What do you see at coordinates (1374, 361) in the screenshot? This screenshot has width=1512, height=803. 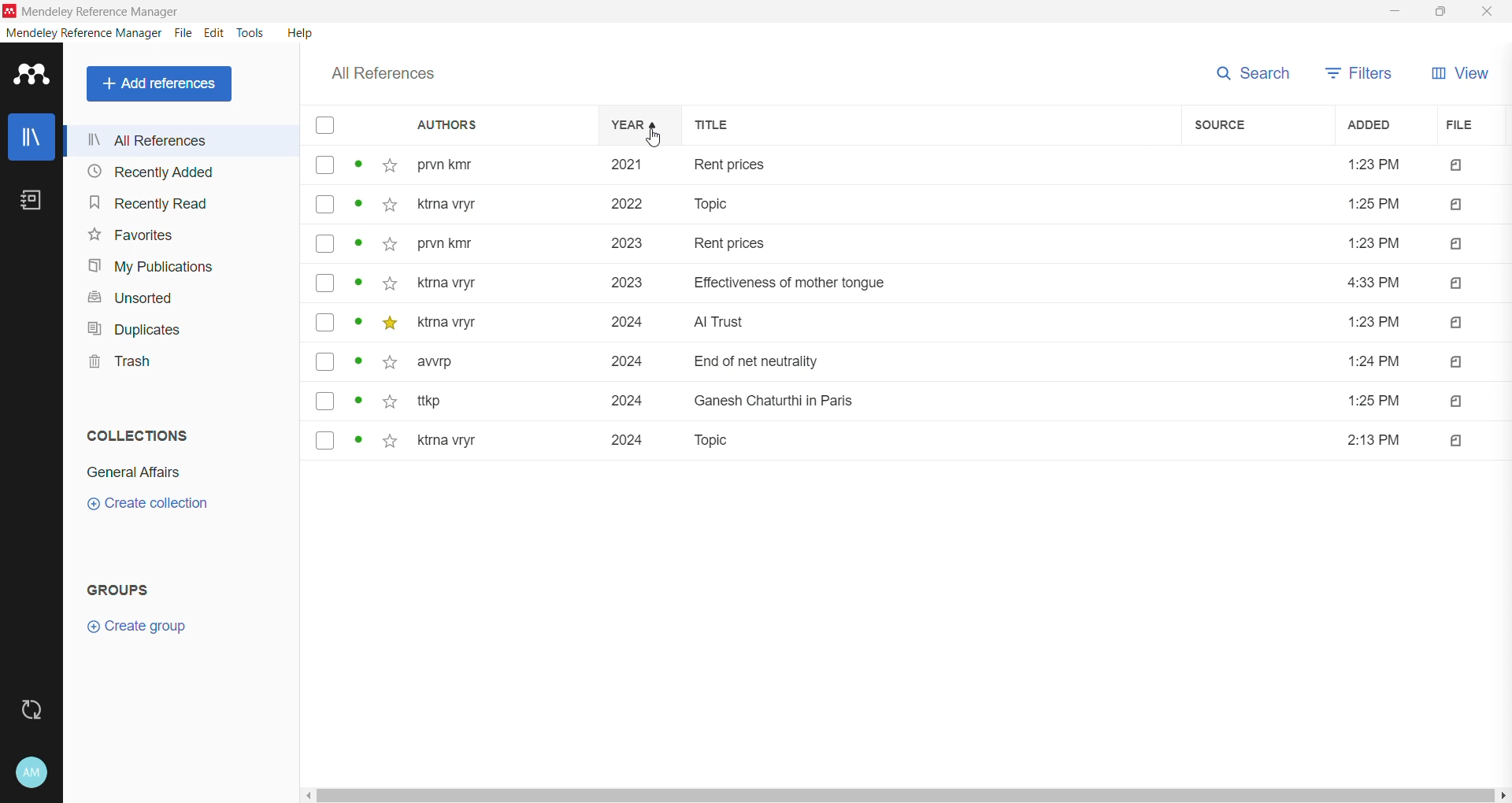 I see `1:24 PM` at bounding box center [1374, 361].